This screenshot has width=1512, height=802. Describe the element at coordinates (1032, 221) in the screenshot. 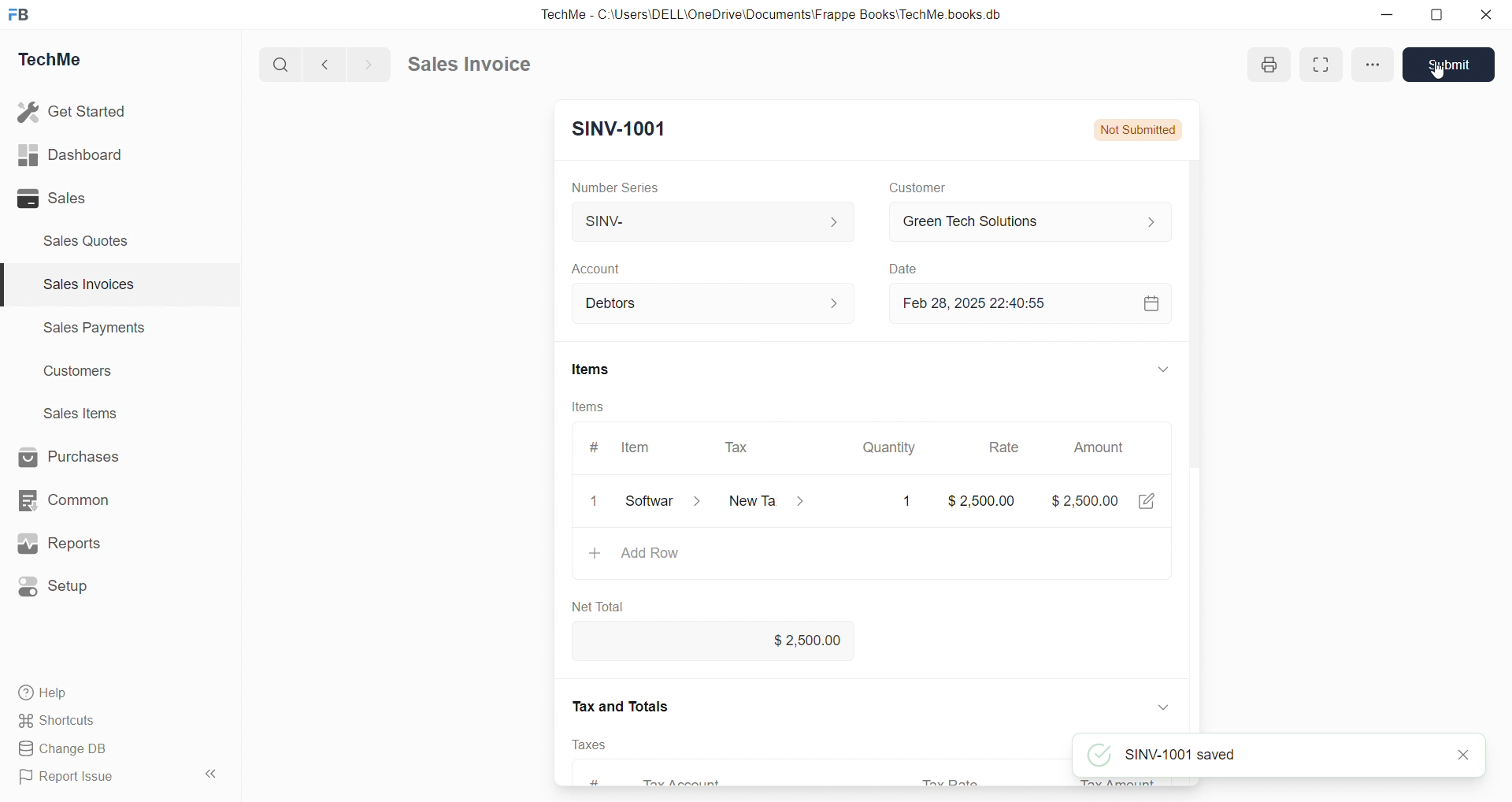

I see `Green Tech Solutions` at that location.